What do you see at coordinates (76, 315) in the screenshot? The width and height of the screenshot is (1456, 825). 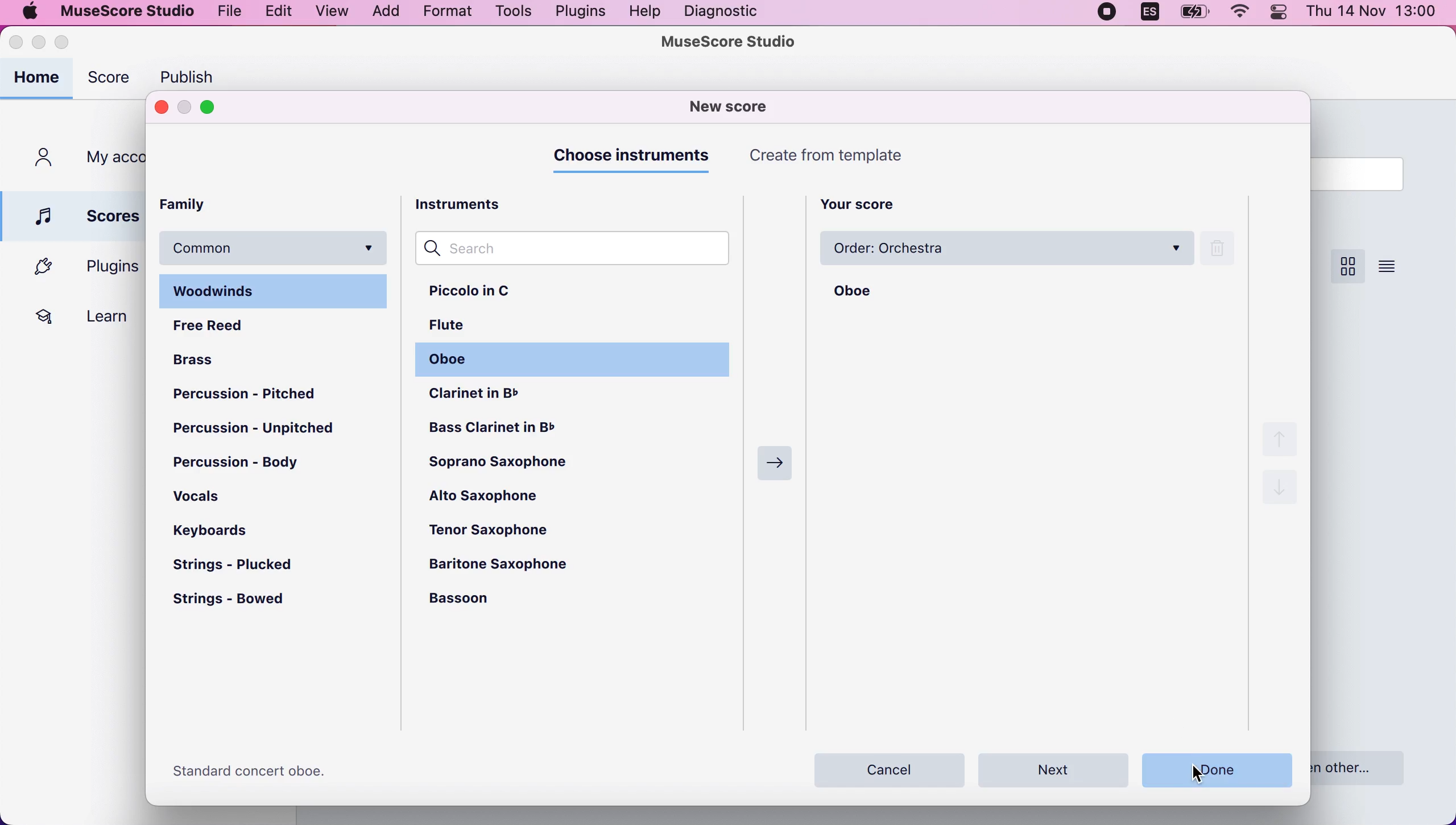 I see `learn` at bounding box center [76, 315].